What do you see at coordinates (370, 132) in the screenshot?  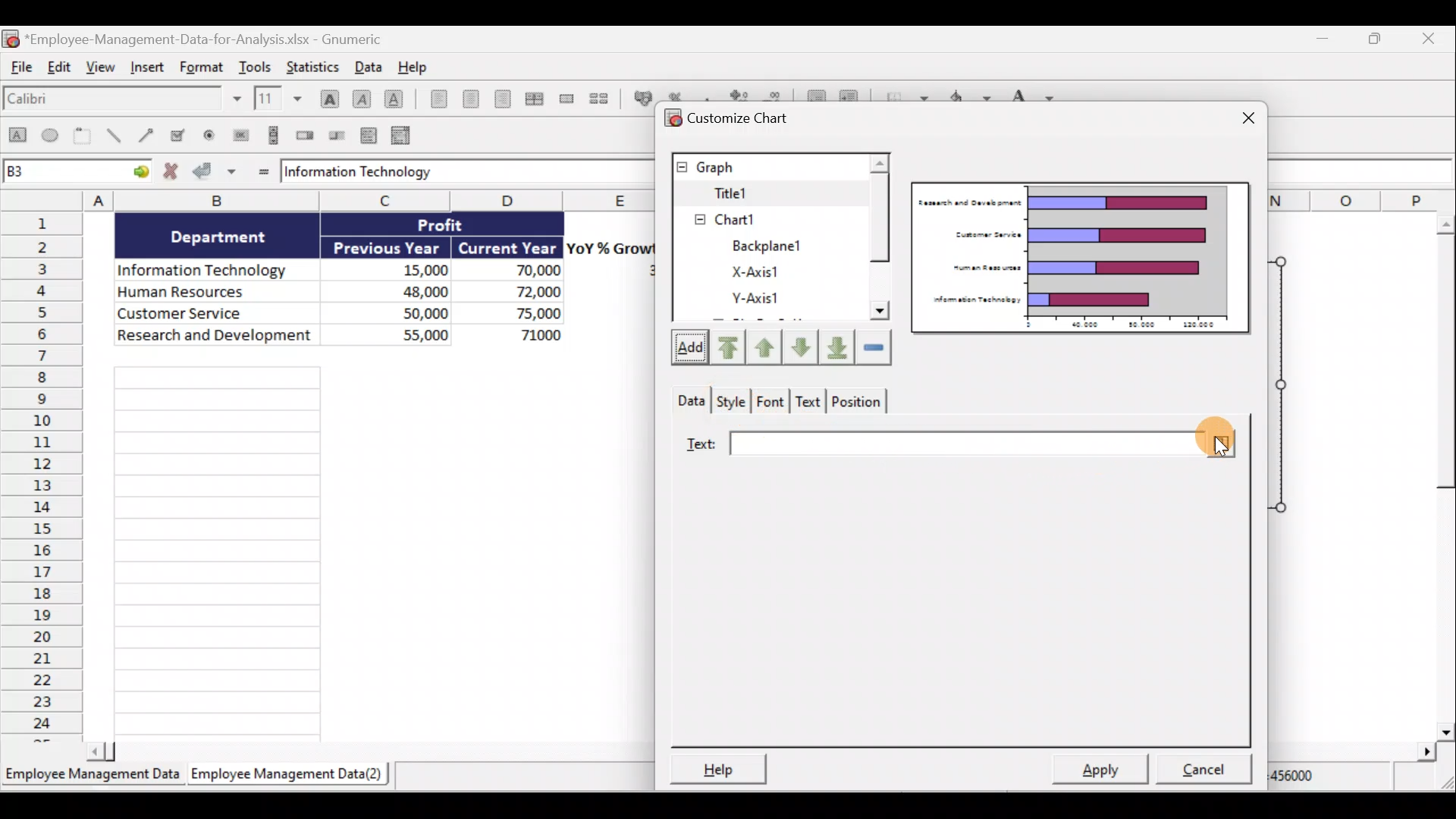 I see `Create a list` at bounding box center [370, 132].